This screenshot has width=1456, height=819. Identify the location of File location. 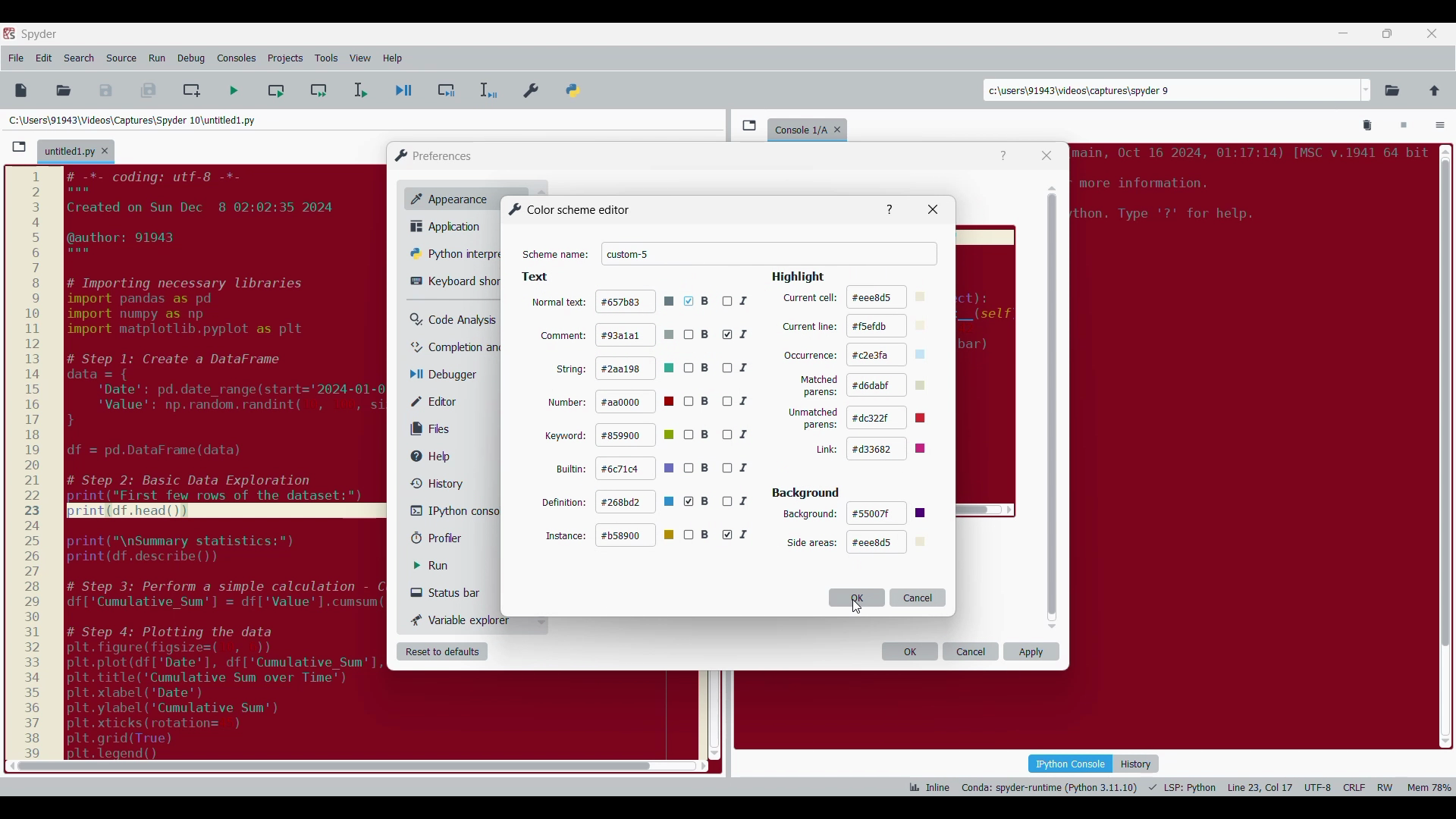
(132, 120).